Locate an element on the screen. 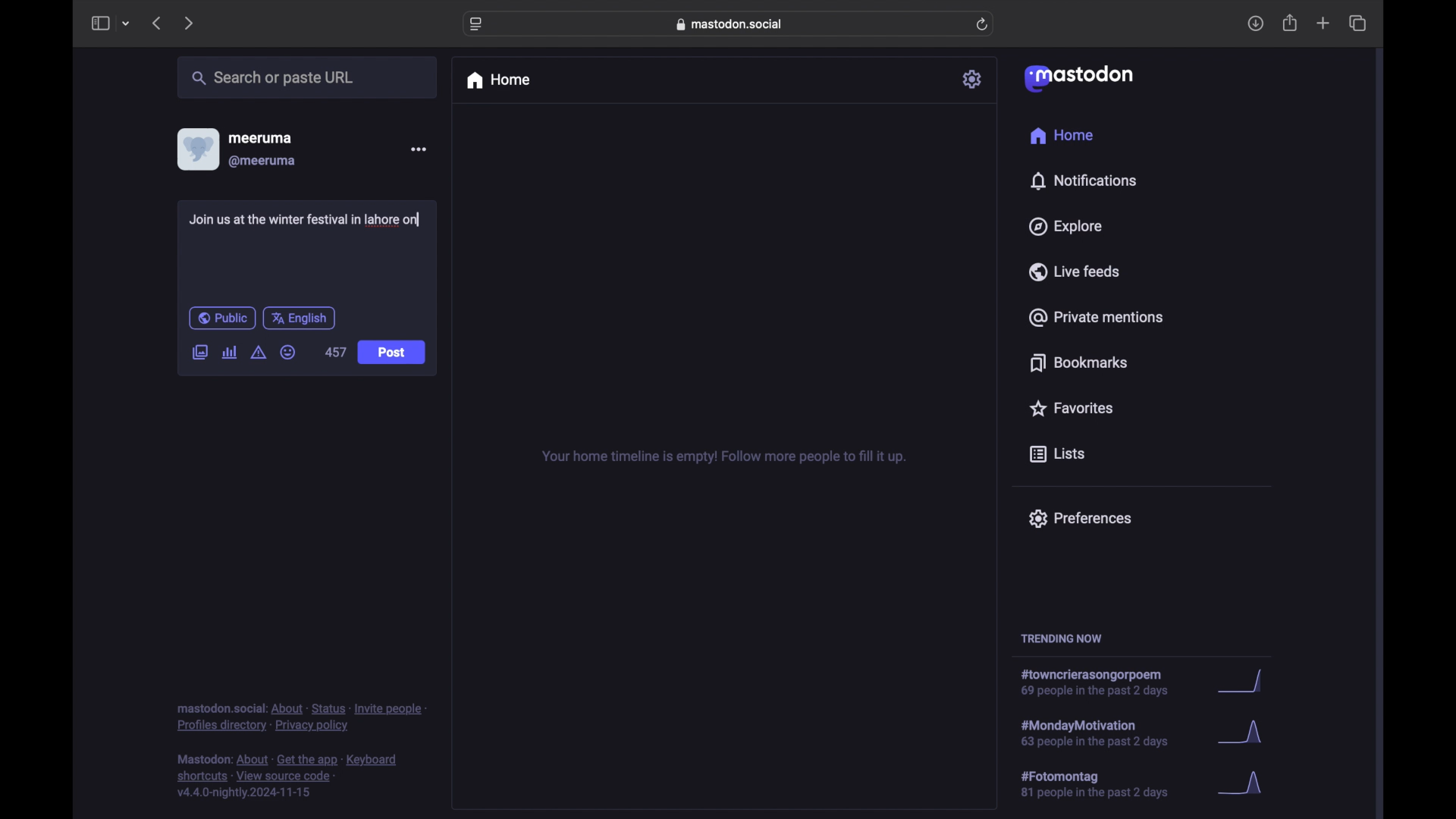  website settings is located at coordinates (478, 24).